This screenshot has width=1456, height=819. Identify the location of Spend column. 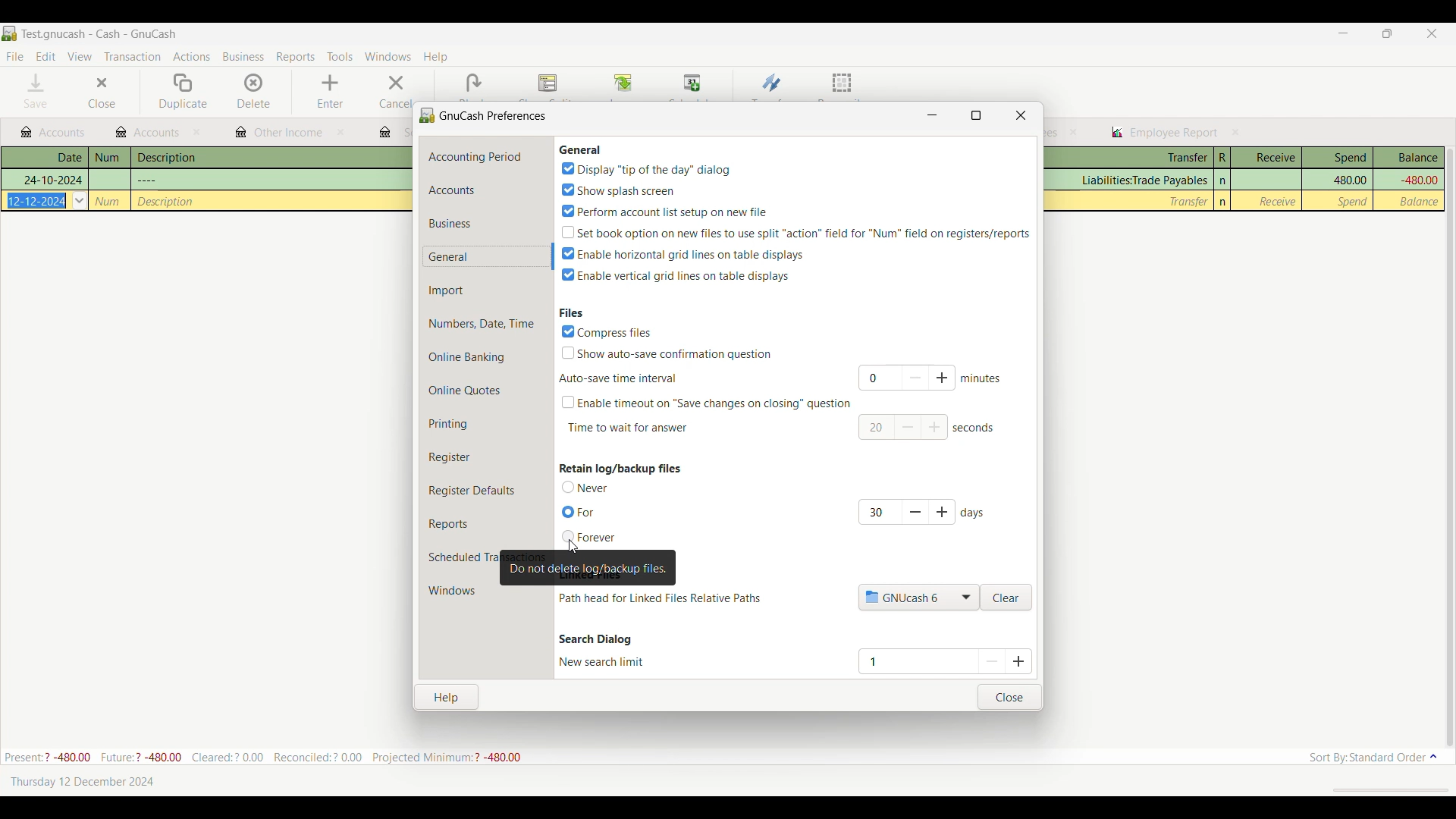
(1354, 201).